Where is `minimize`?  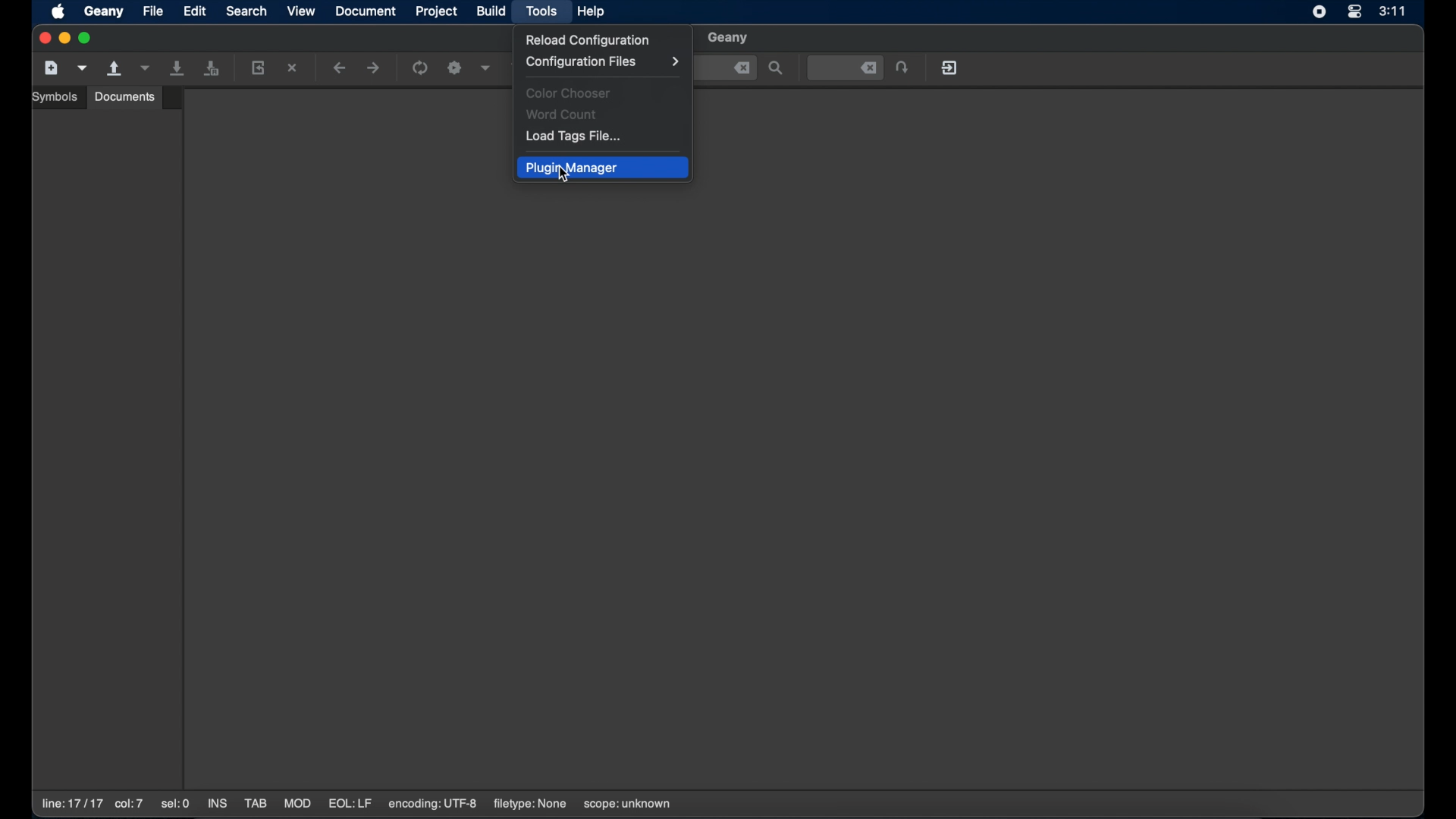
minimize is located at coordinates (65, 39).